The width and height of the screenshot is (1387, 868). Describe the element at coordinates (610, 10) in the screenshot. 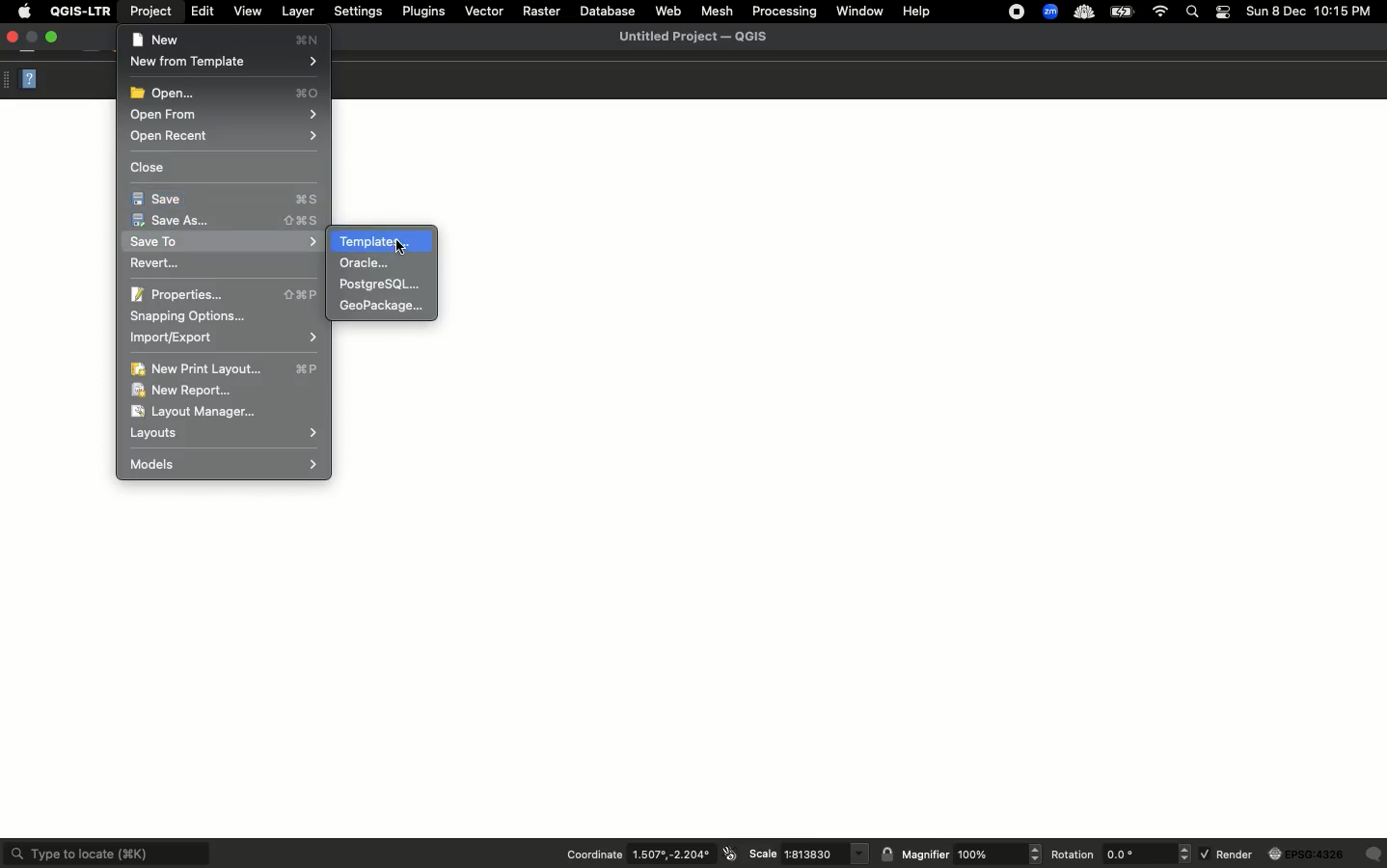

I see `Database` at that location.